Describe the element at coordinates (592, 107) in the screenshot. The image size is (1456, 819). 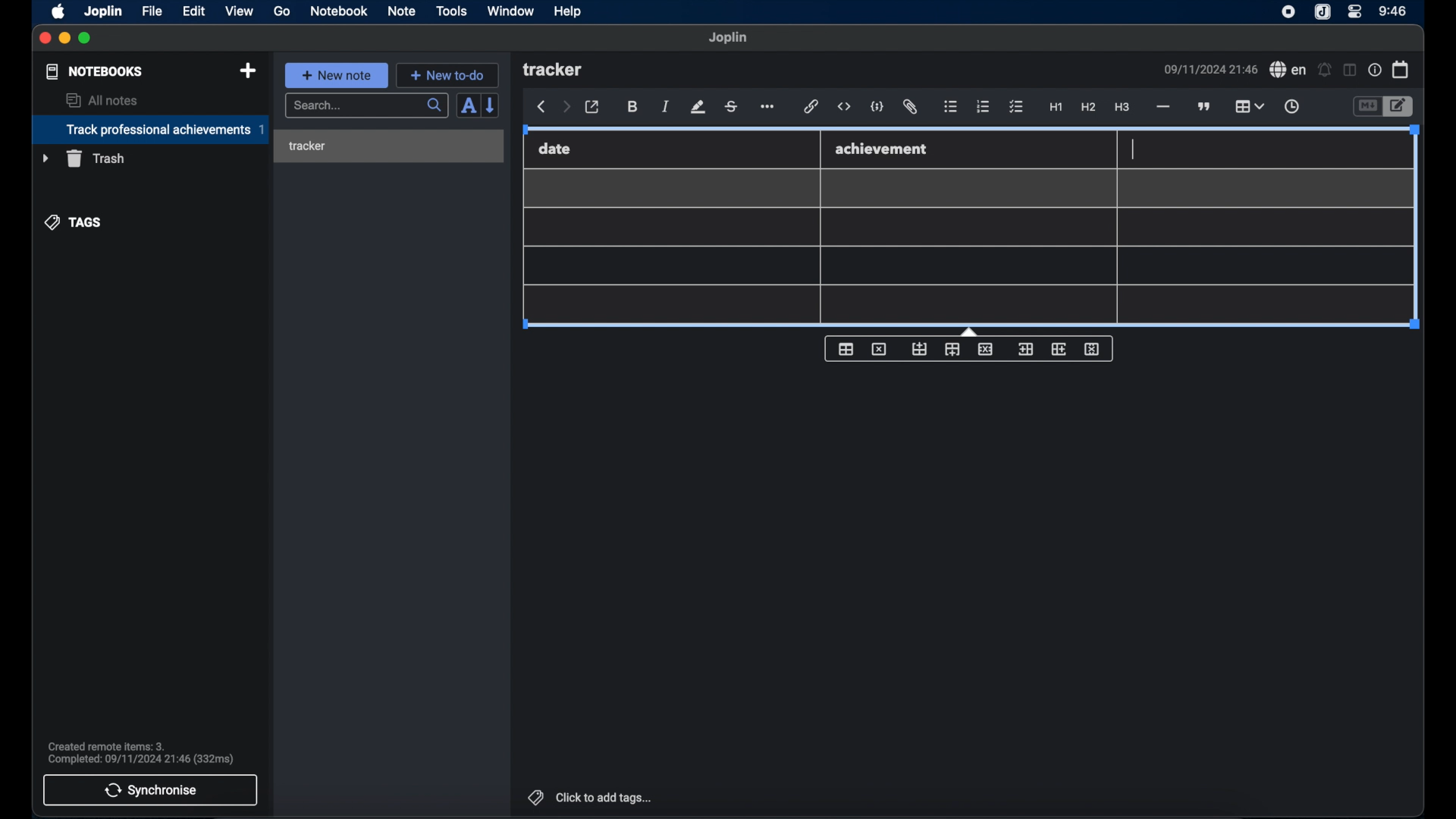
I see `toggle external editor` at that location.